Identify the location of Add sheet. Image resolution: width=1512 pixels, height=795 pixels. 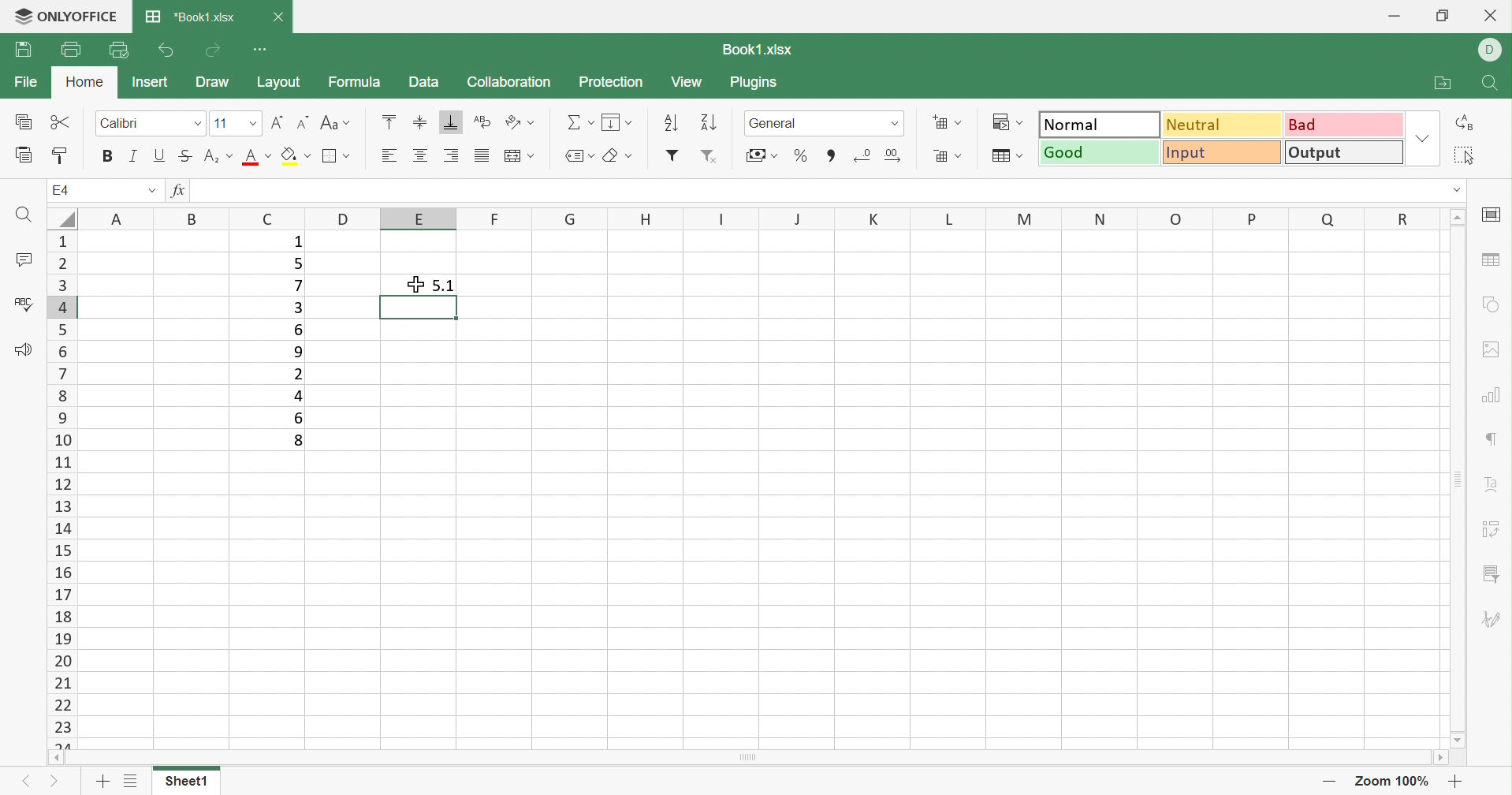
(102, 783).